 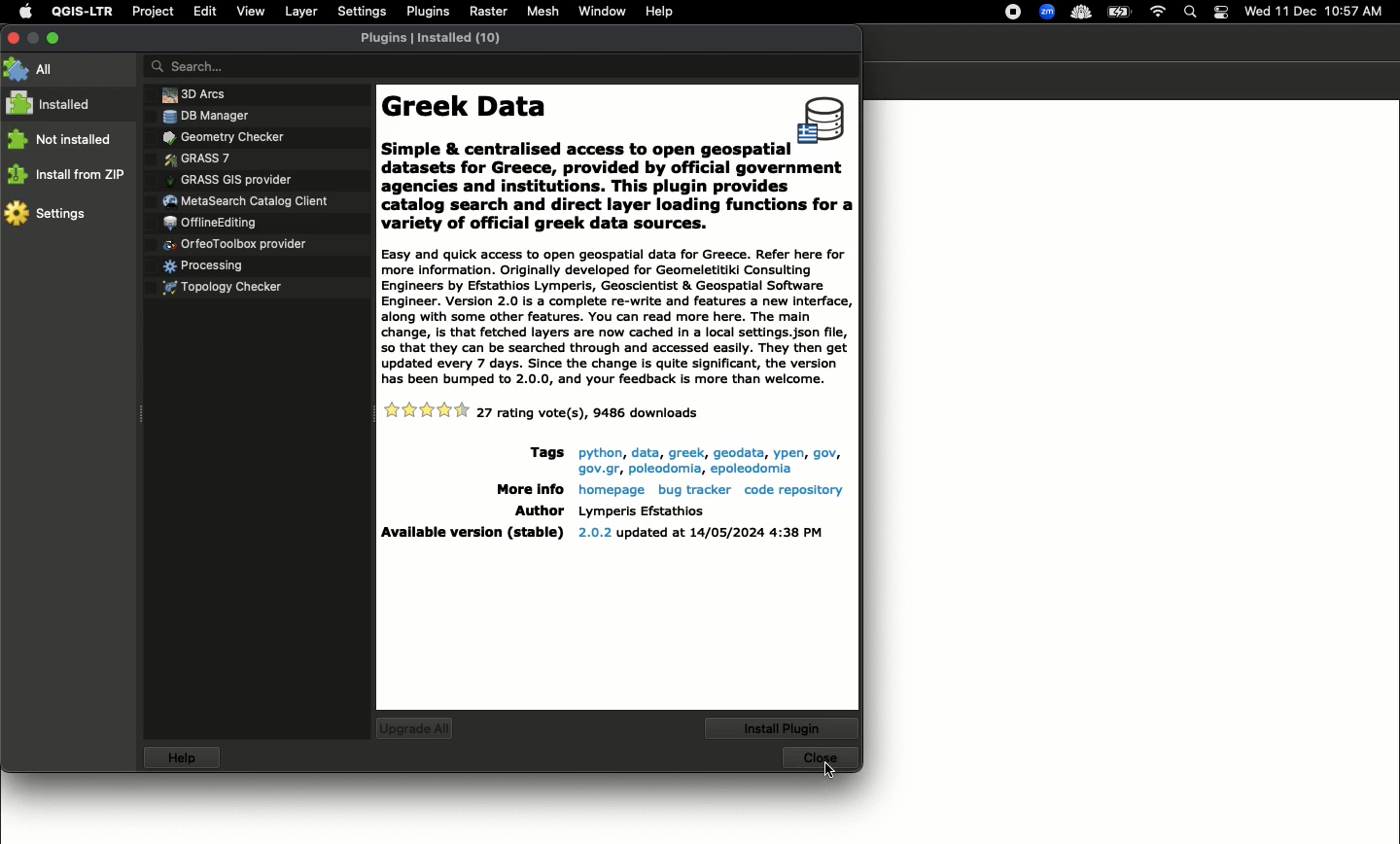 I want to click on Extension, so click(x=1083, y=14).